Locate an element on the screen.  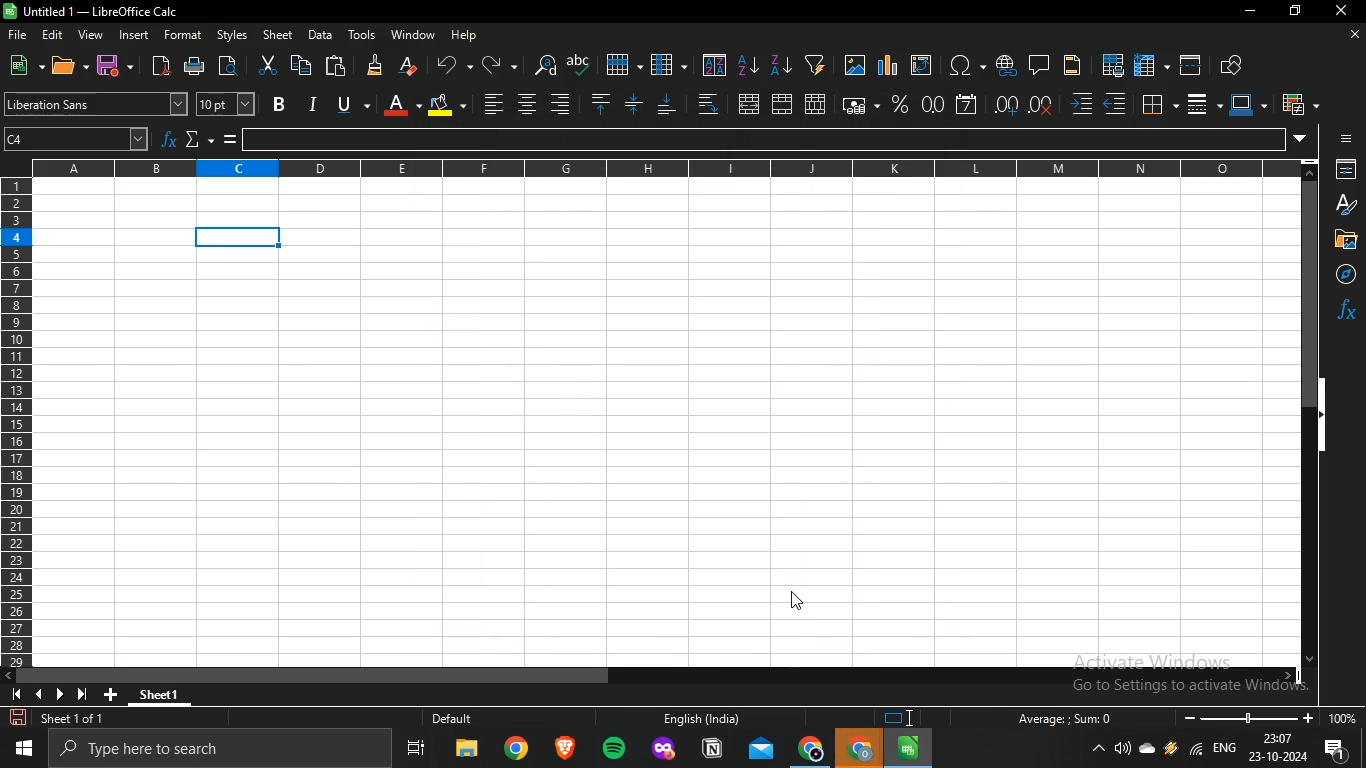
google chrome is located at coordinates (860, 749).